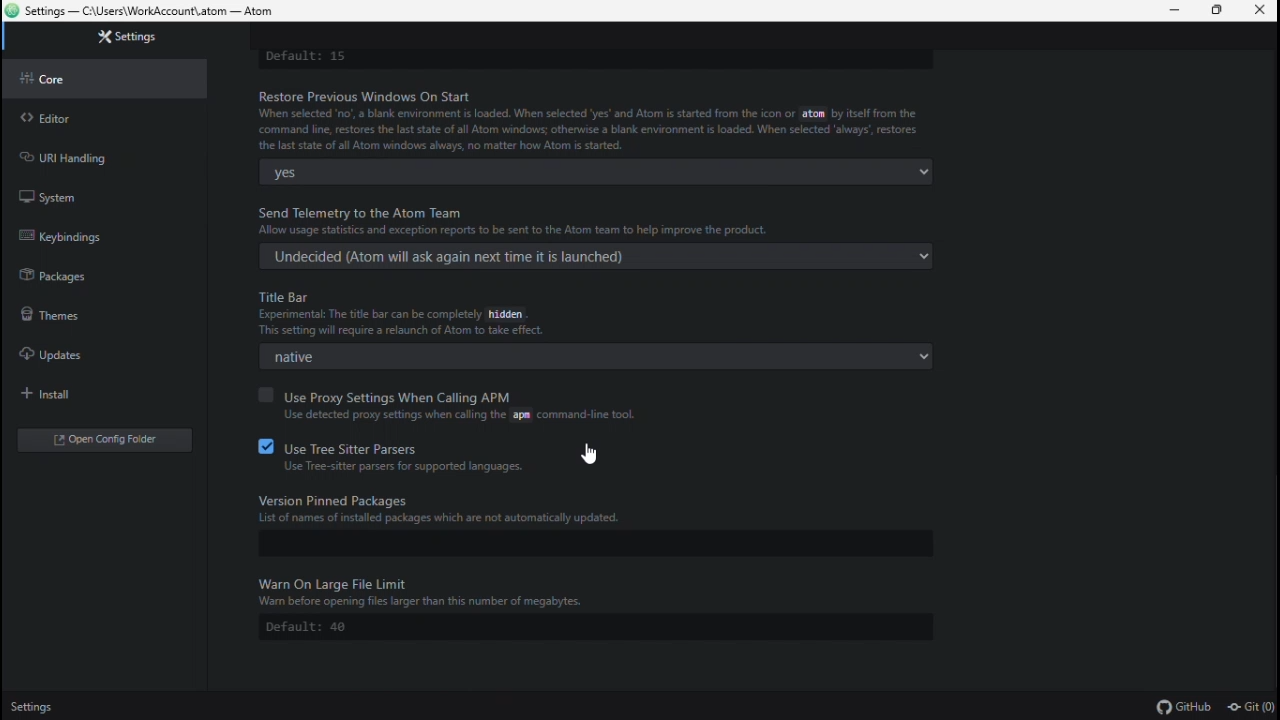  Describe the element at coordinates (1250, 707) in the screenshot. I see `Git (0)` at that location.